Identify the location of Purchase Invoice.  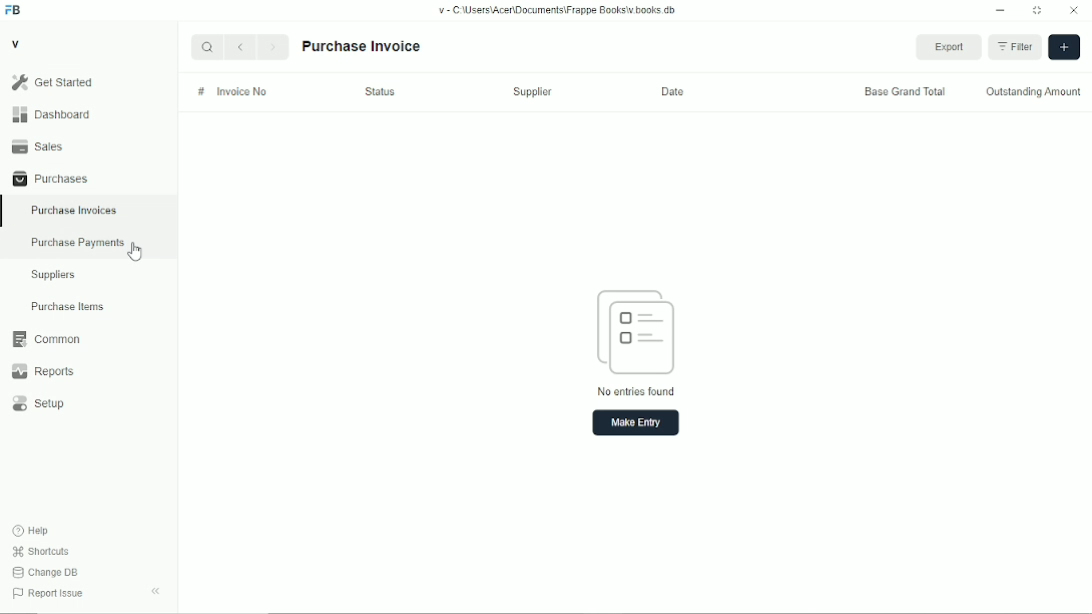
(362, 46).